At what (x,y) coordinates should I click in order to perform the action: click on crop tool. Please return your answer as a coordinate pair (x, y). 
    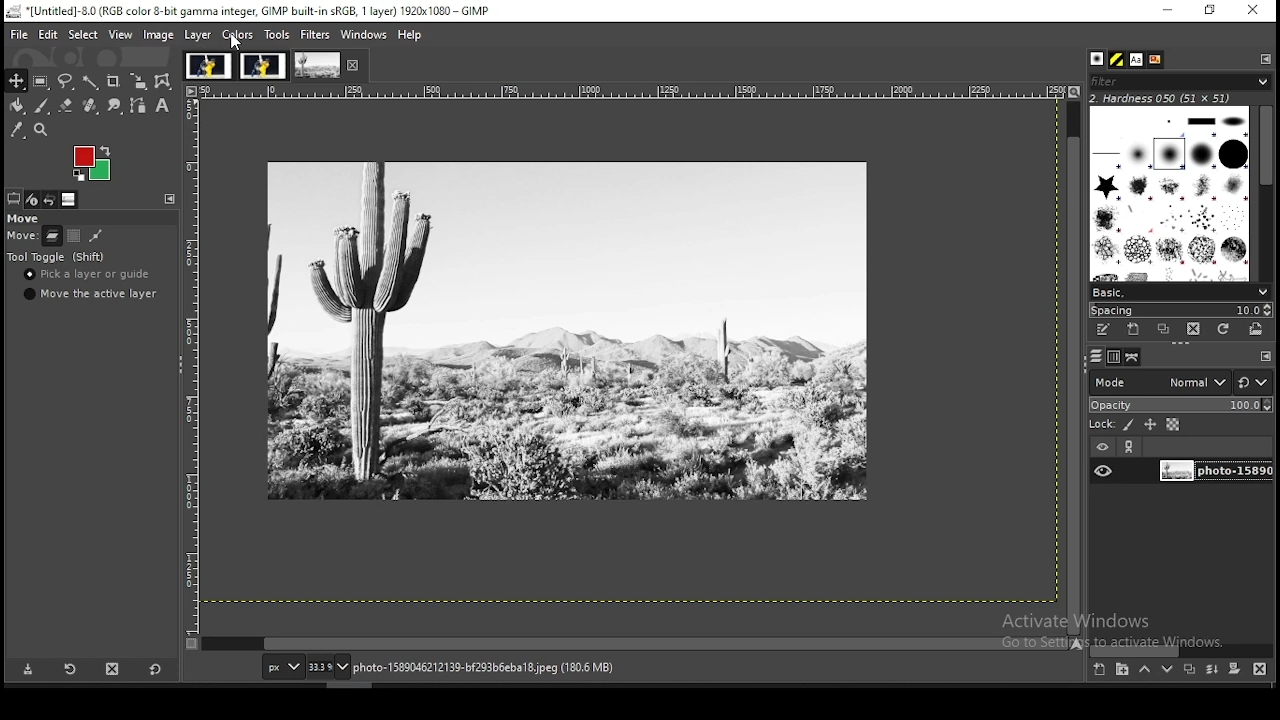
    Looking at the image, I should click on (114, 80).